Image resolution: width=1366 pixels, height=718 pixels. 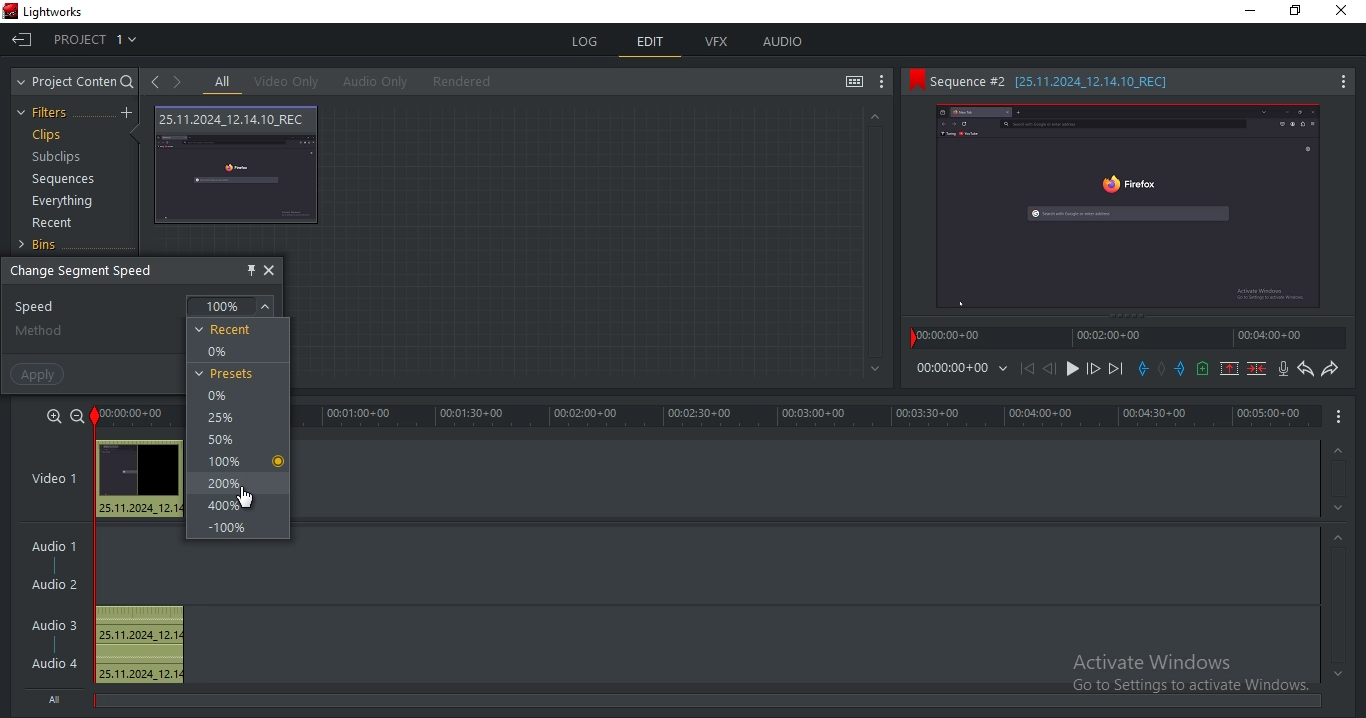 I want to click on add a cue at the current position, so click(x=1202, y=368).